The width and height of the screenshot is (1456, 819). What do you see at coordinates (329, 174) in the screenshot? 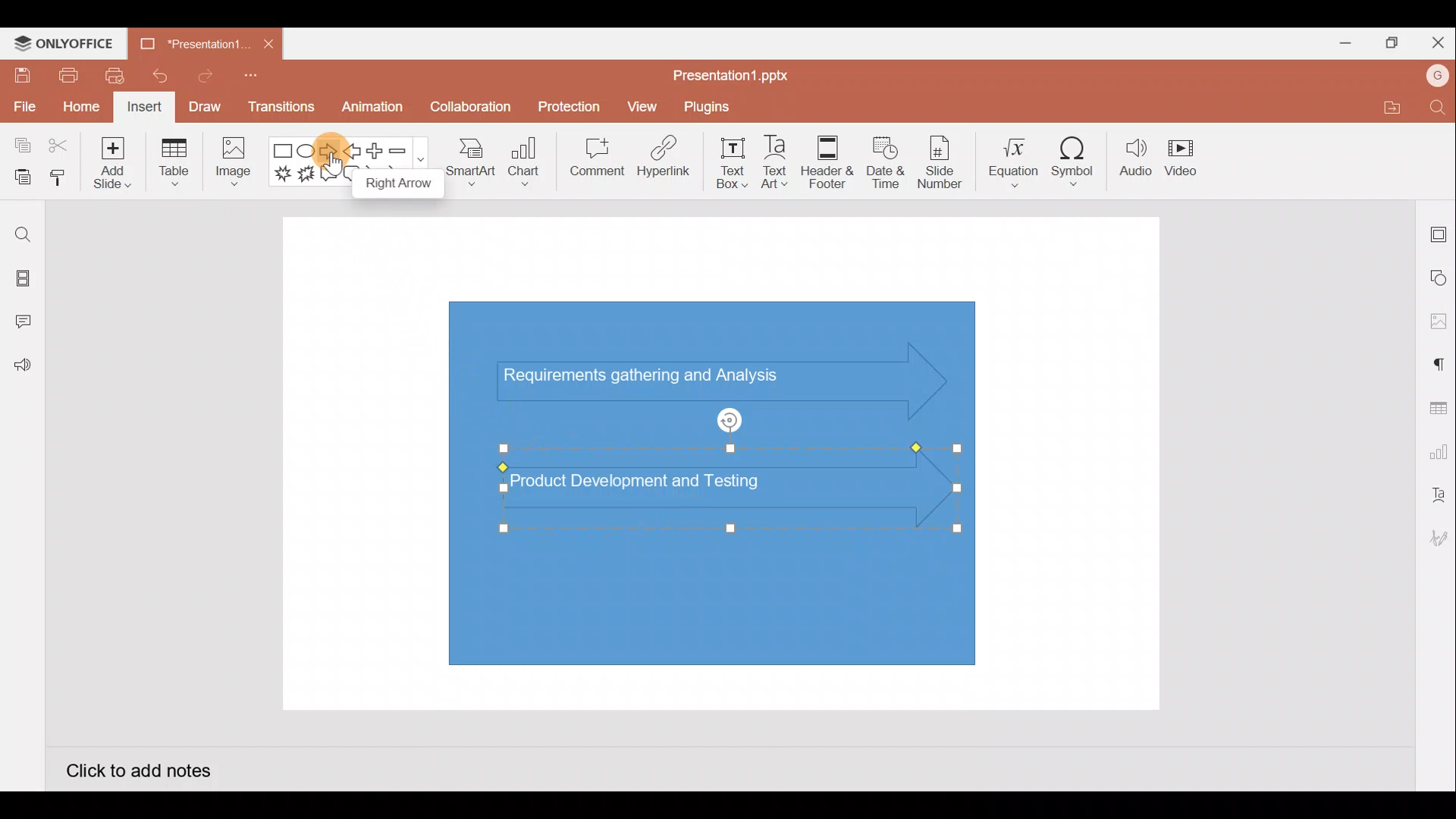
I see `Rectangular callout` at bounding box center [329, 174].